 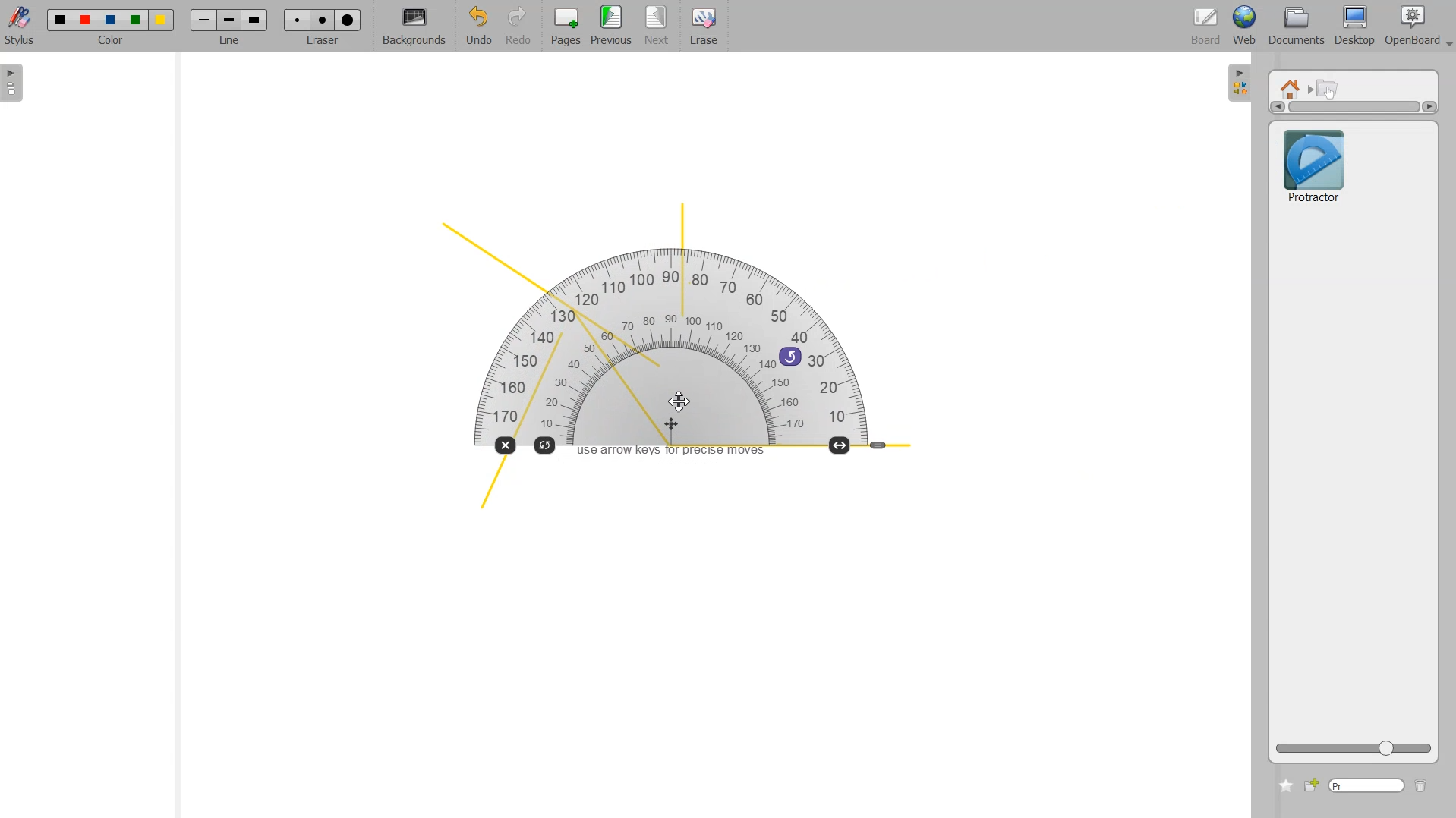 I want to click on Documents, so click(x=1294, y=27).